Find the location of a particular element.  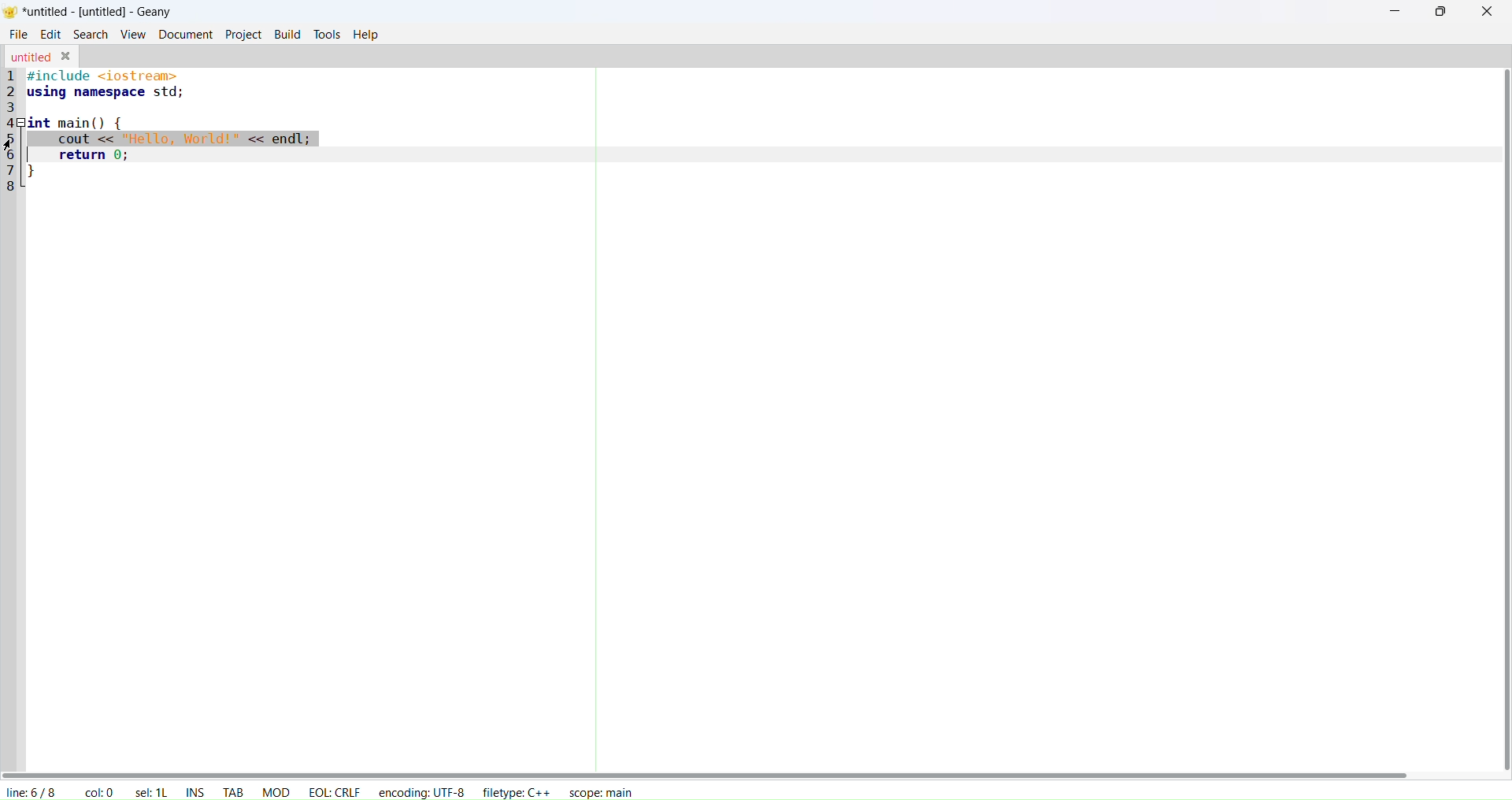

*untitled-[untitled]-Geany is located at coordinates (98, 12).